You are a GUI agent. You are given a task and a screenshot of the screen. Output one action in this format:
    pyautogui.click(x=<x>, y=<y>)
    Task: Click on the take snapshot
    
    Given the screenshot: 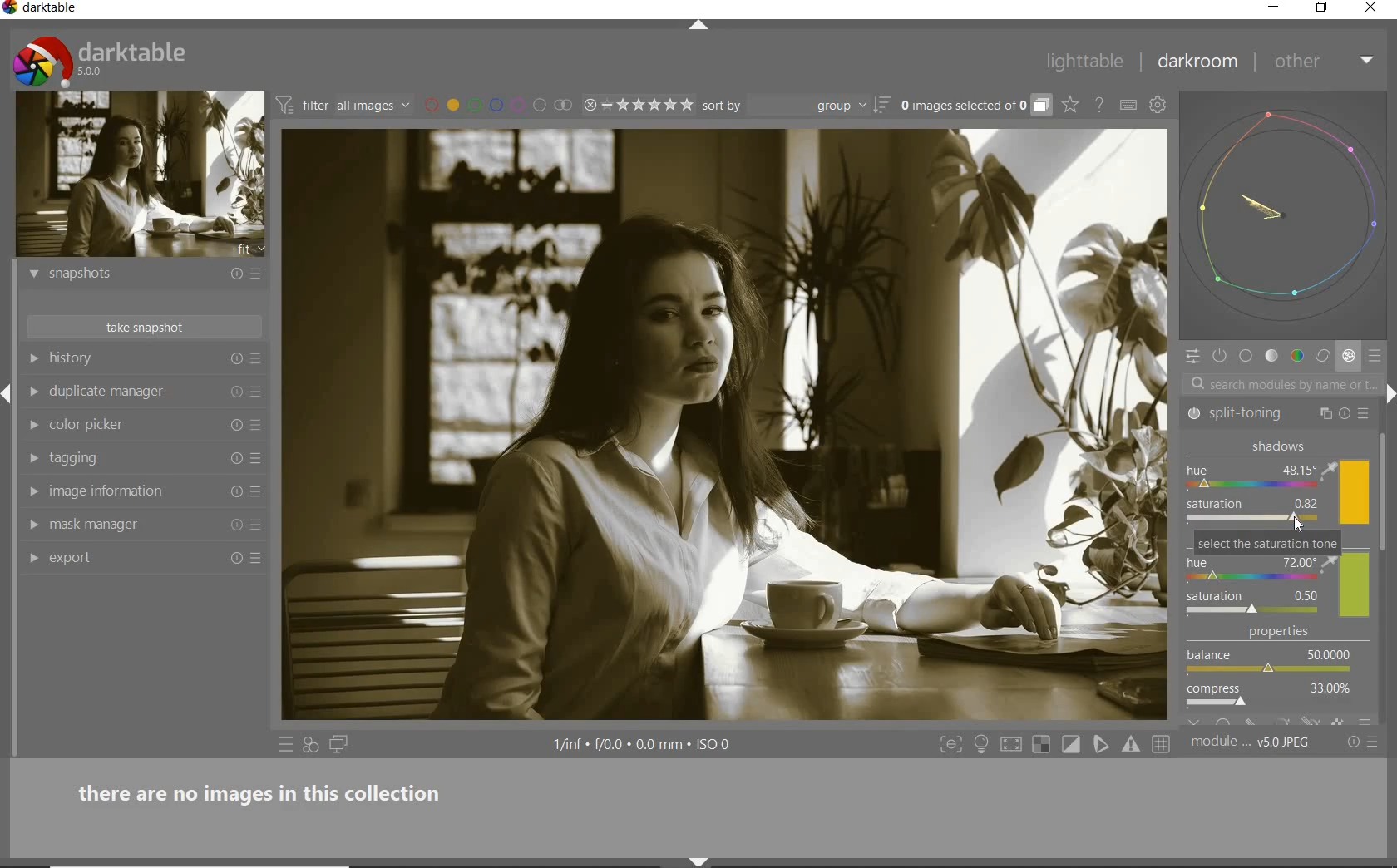 What is the action you would take?
    pyautogui.click(x=141, y=327)
    